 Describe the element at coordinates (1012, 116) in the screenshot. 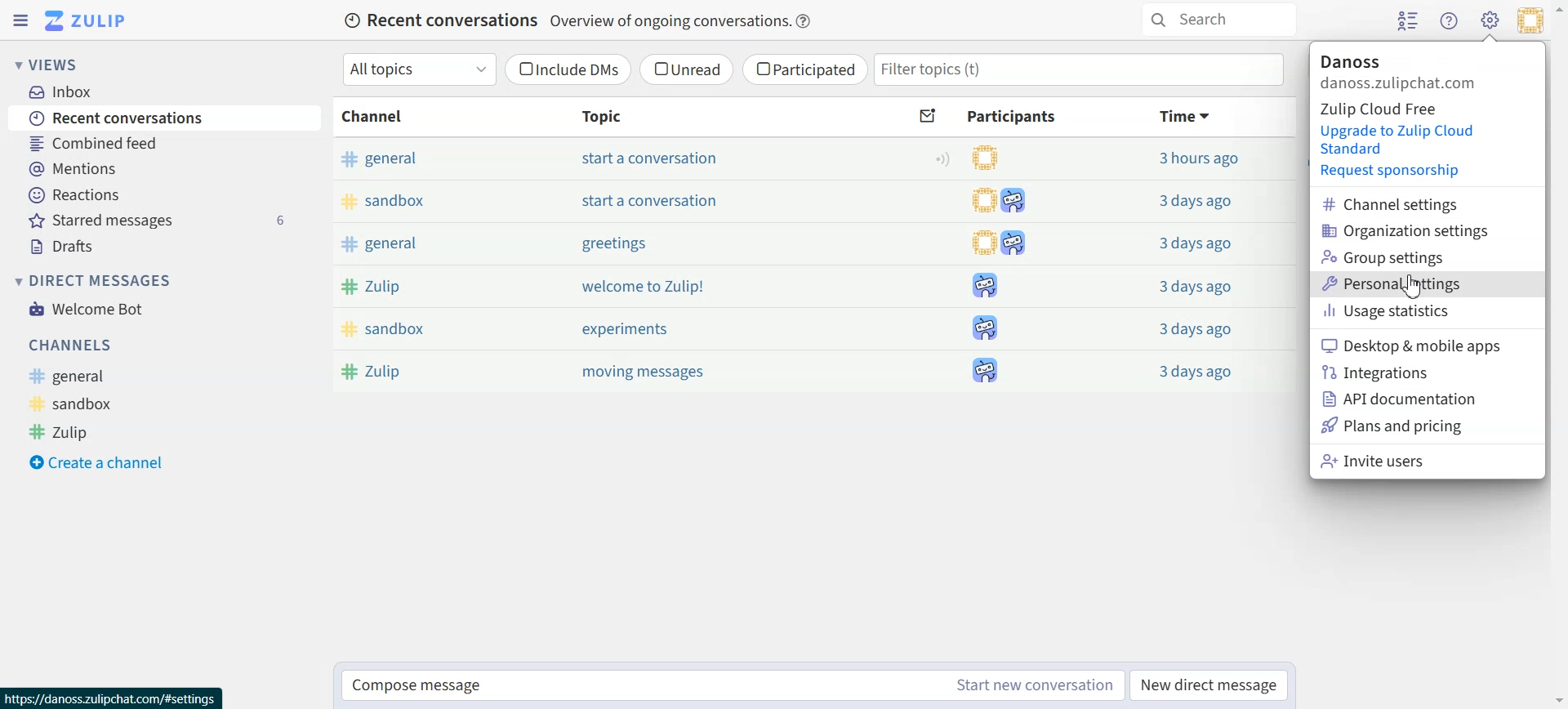

I see `Participants` at that location.